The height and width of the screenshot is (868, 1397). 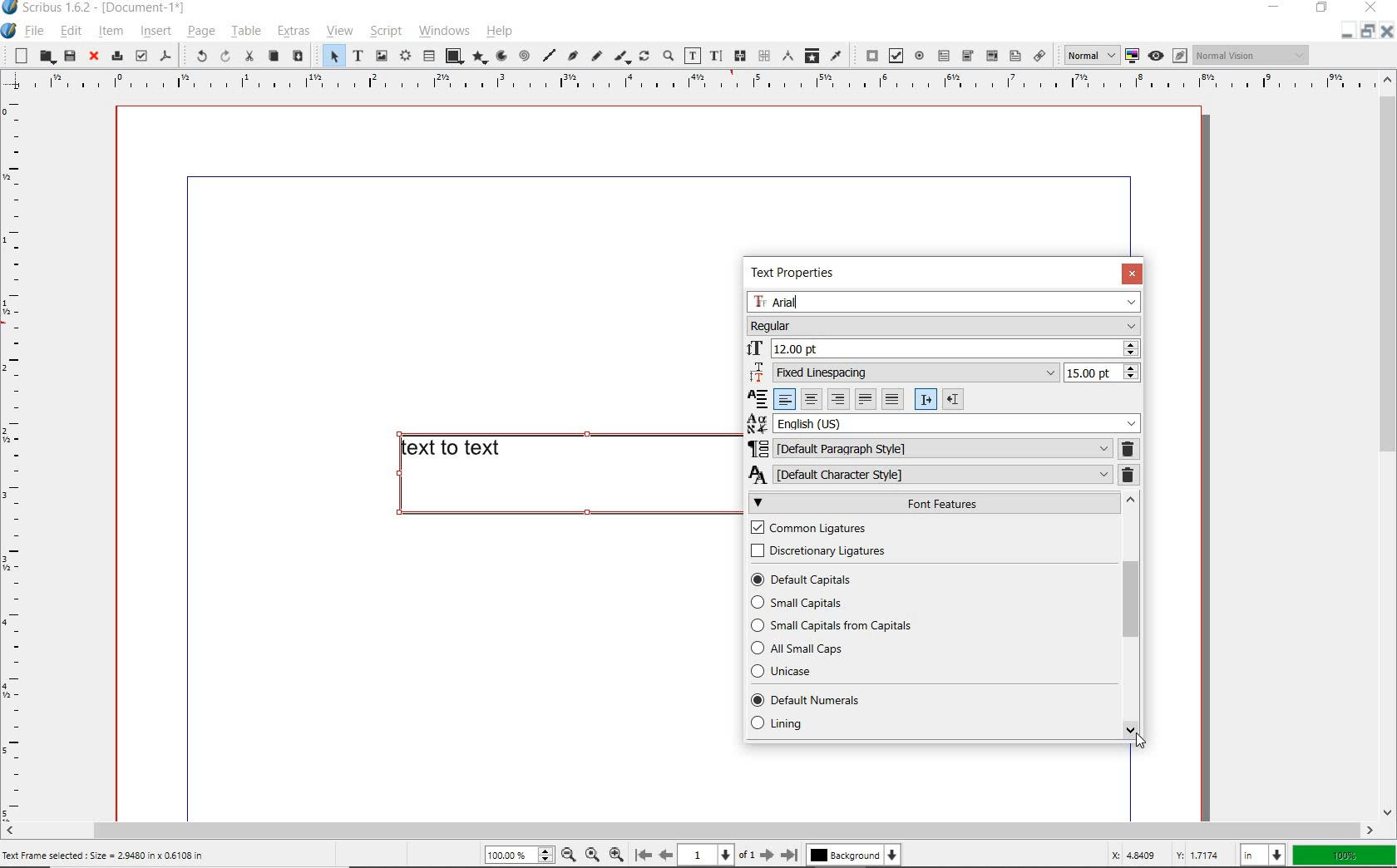 I want to click on TEXT PROPERTIES, so click(x=799, y=273).